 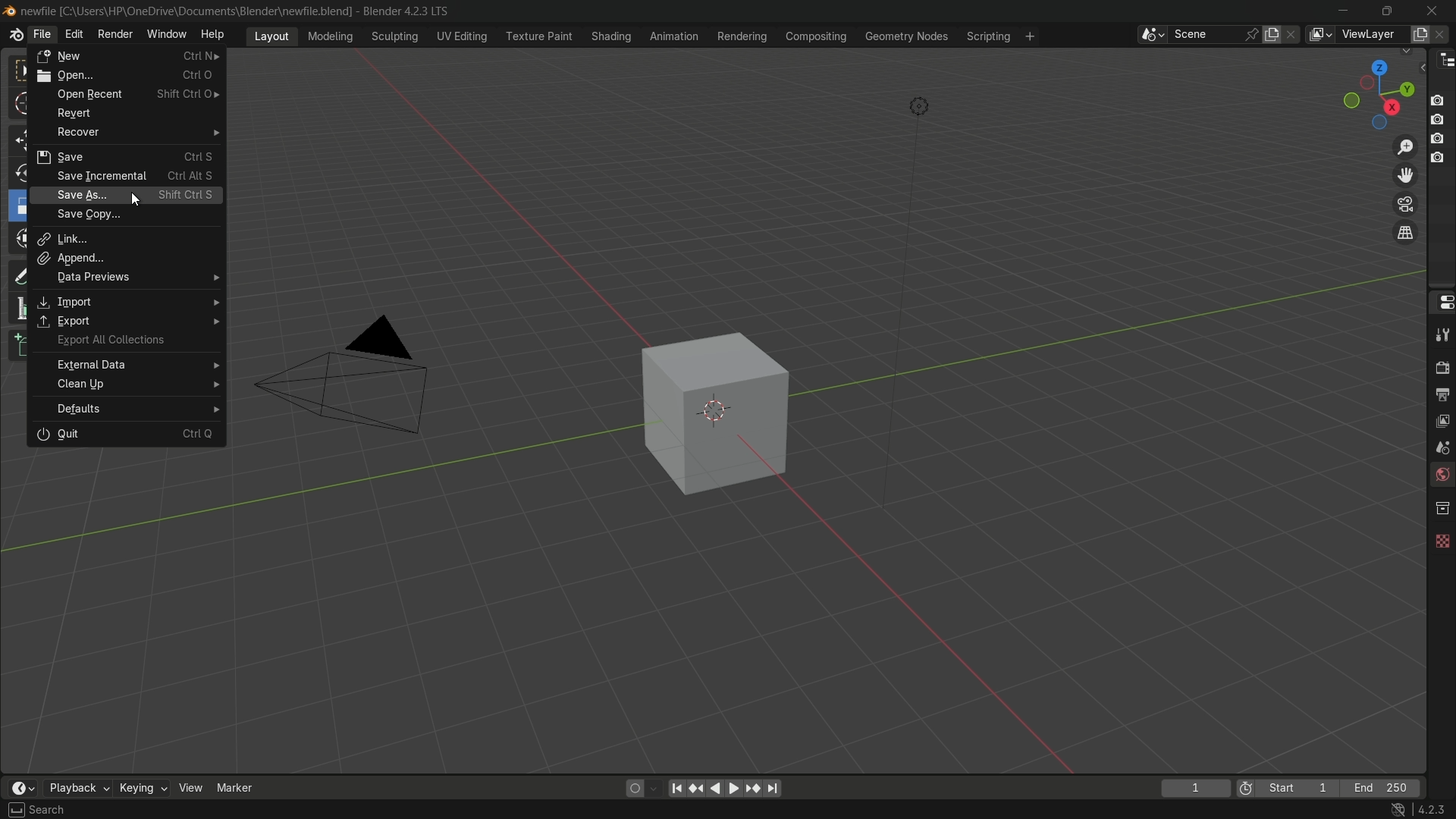 I want to click on geometry nodes menu, so click(x=905, y=36).